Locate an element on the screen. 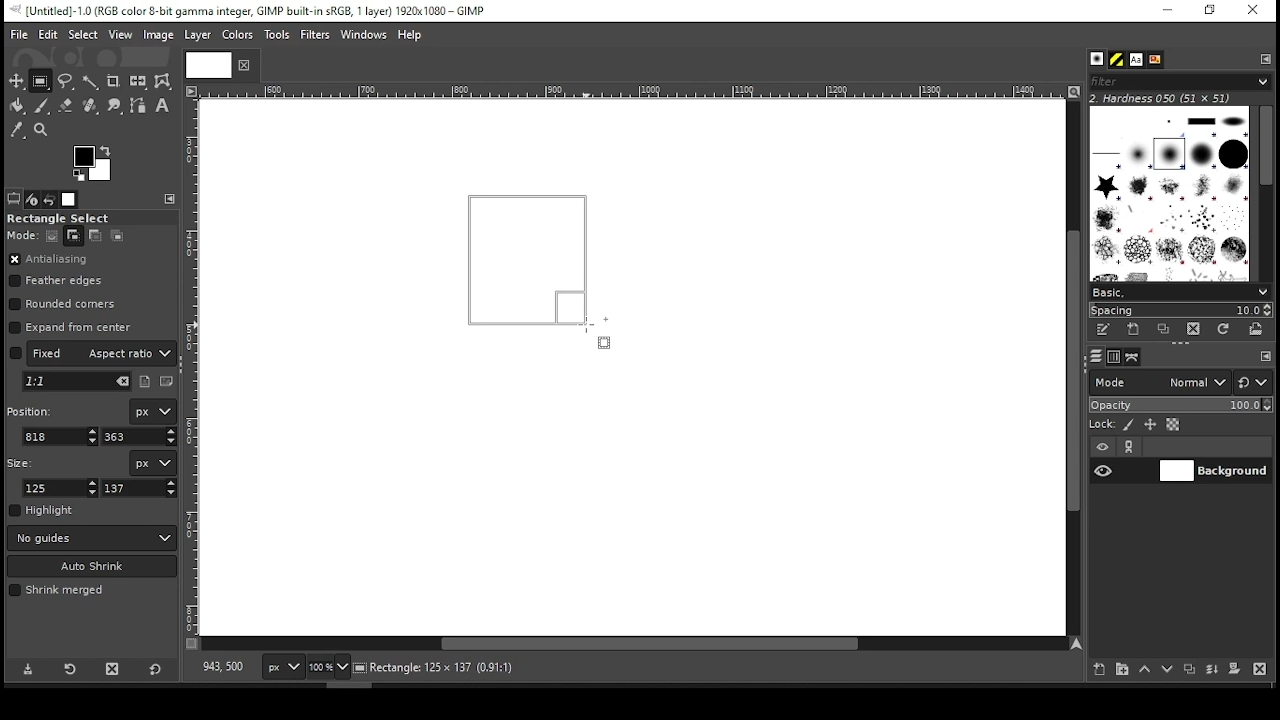 The width and height of the screenshot is (1280, 720). rectangular selection tool is located at coordinates (43, 81).